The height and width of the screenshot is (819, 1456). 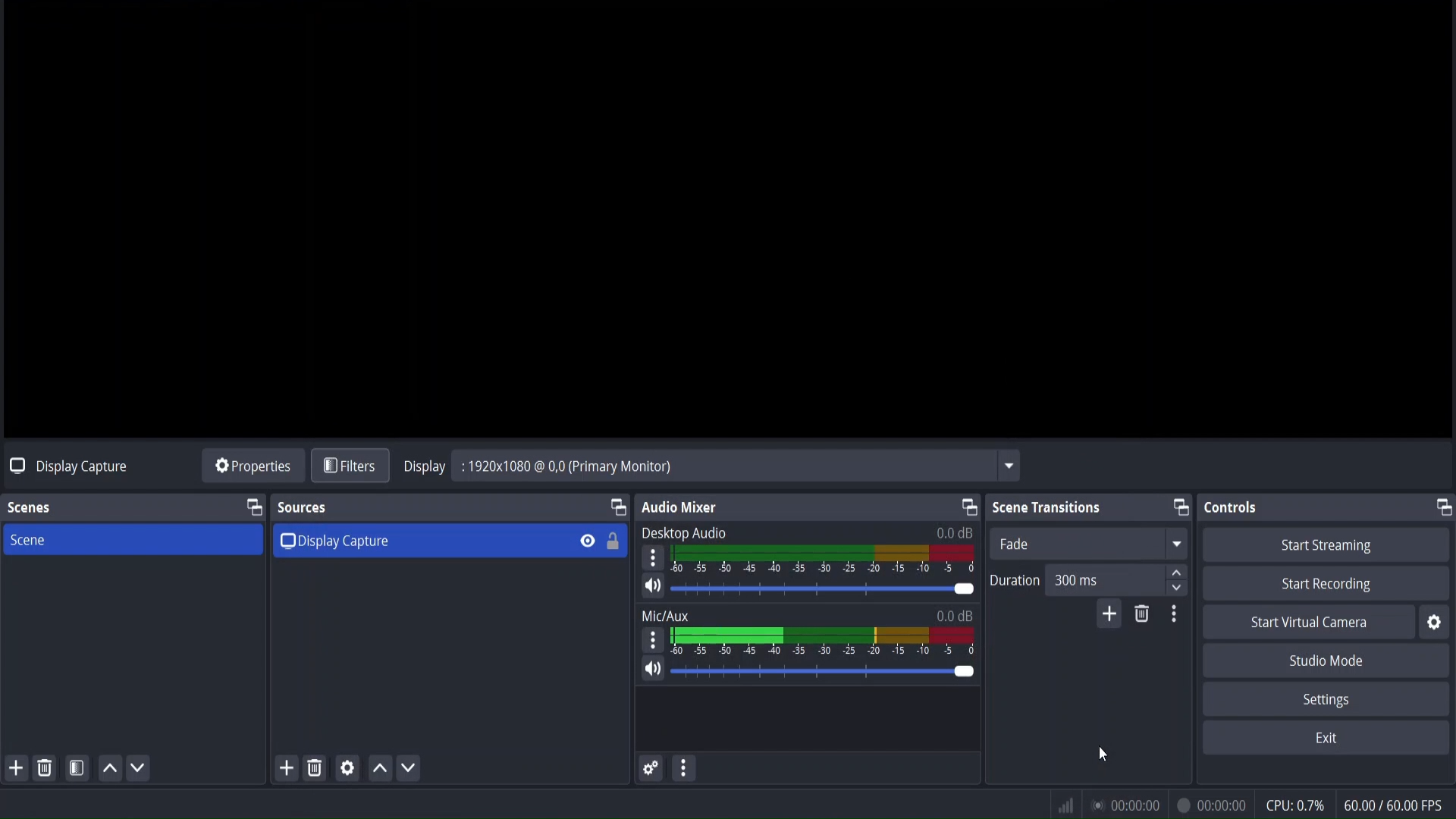 I want to click on transition properties, so click(x=1175, y=613).